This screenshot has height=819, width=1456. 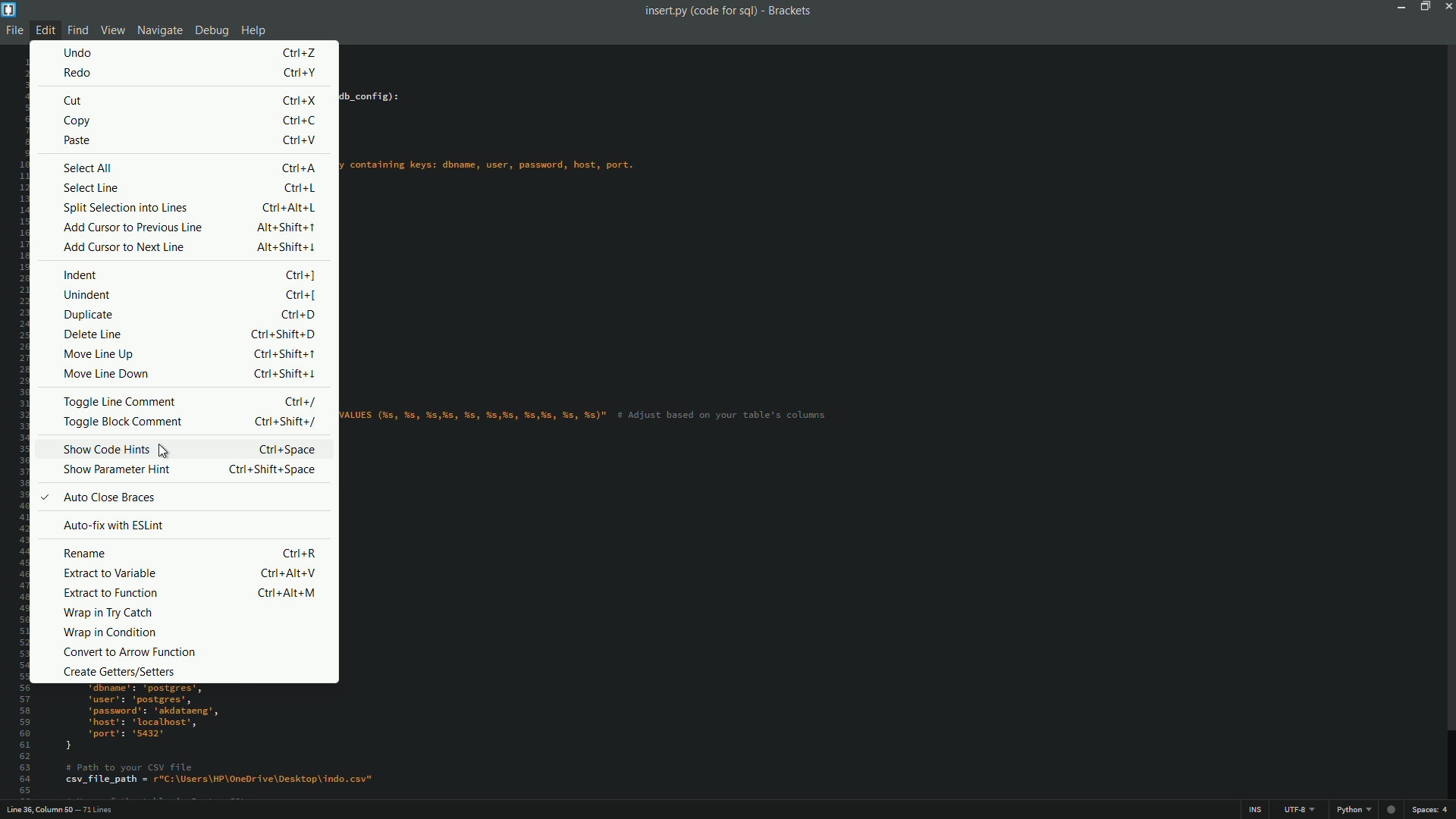 I want to click on keyboard shortcut, so click(x=301, y=400).